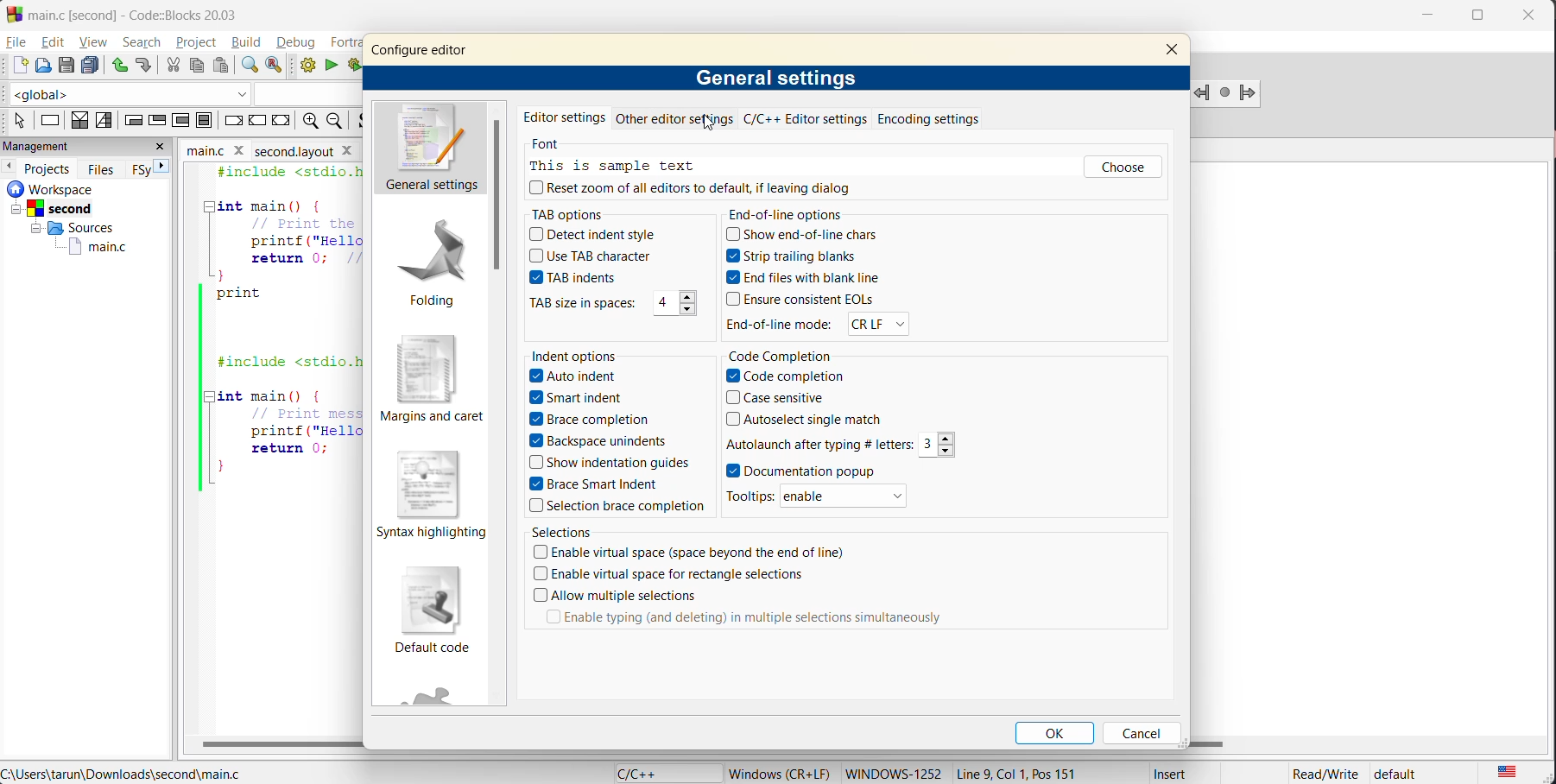  I want to click on redo, so click(143, 64).